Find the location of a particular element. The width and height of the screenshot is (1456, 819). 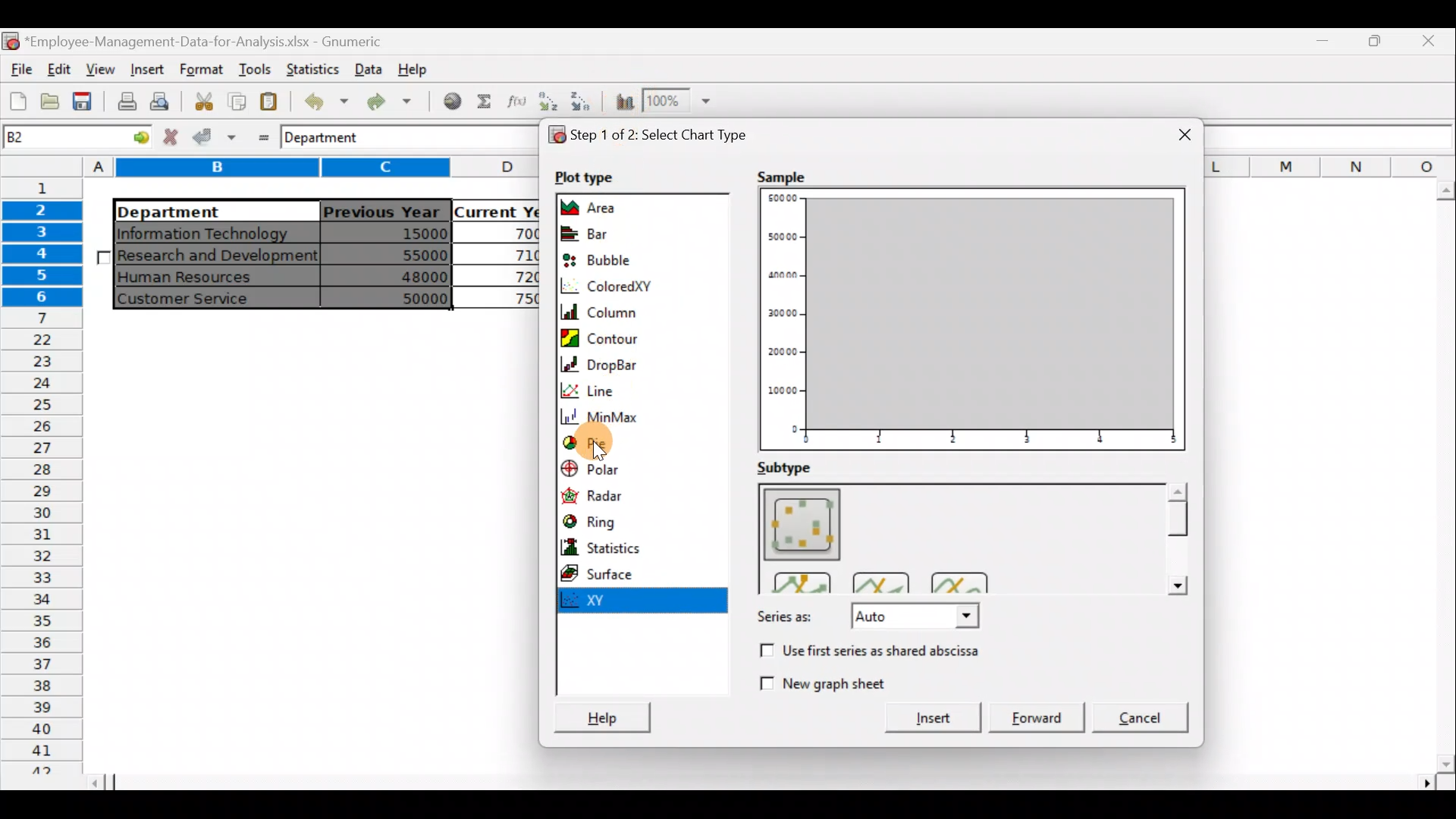

File is located at coordinates (19, 65).